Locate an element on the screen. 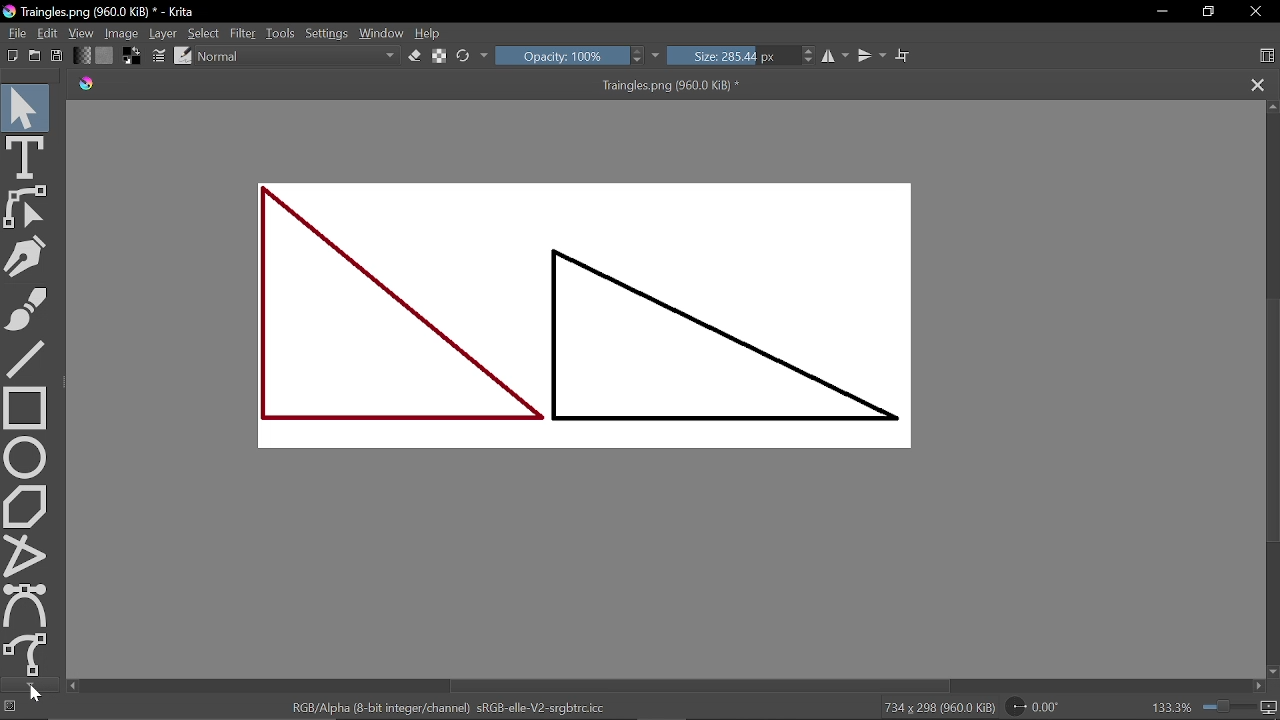  Close is located at coordinates (1257, 11).